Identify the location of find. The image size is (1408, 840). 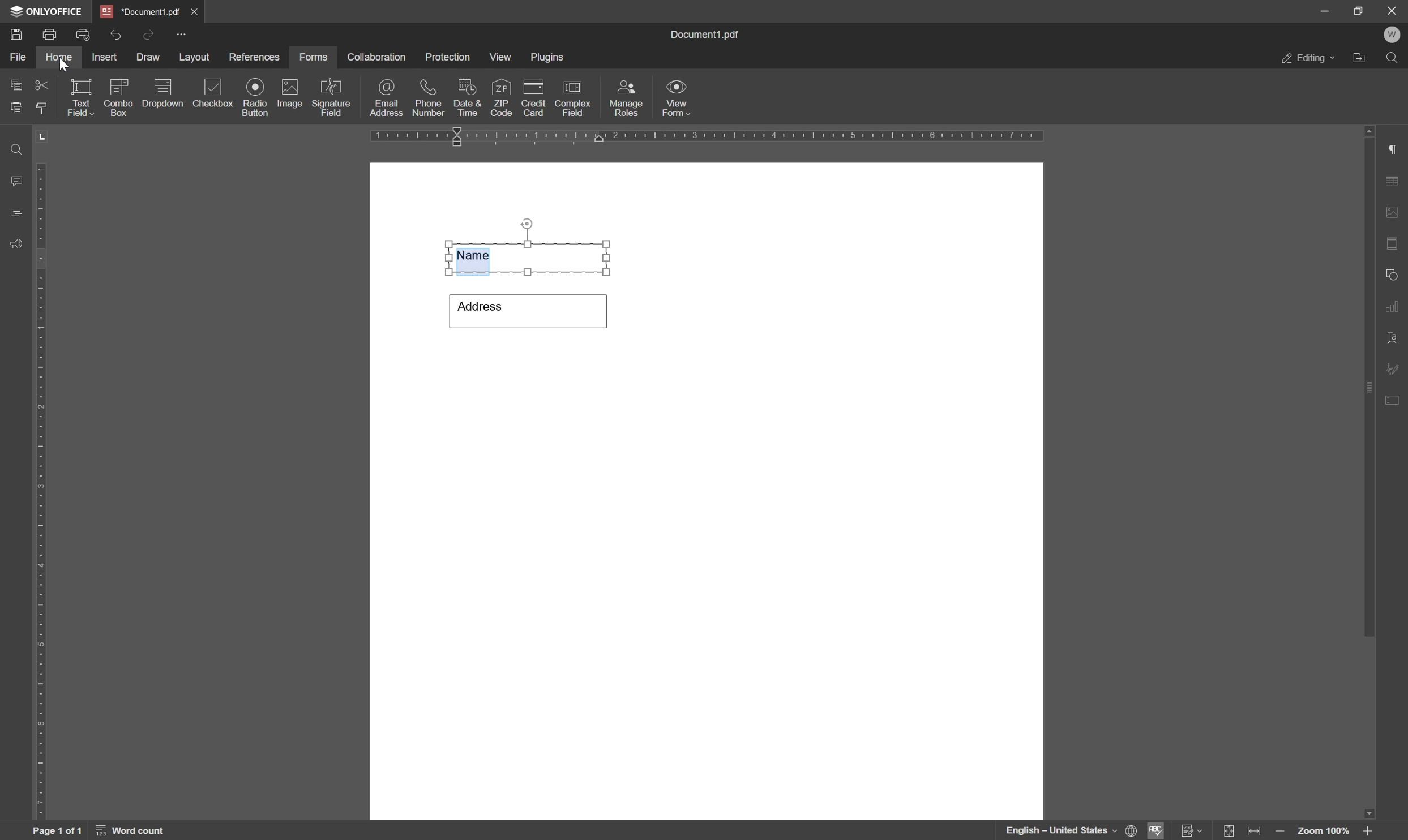
(1395, 61).